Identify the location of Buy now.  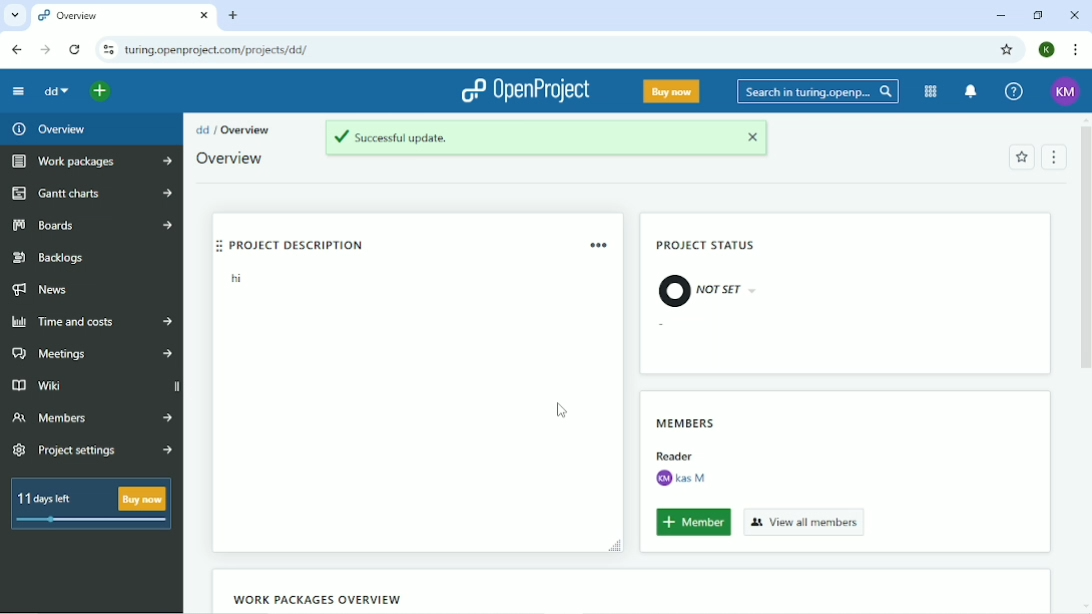
(672, 91).